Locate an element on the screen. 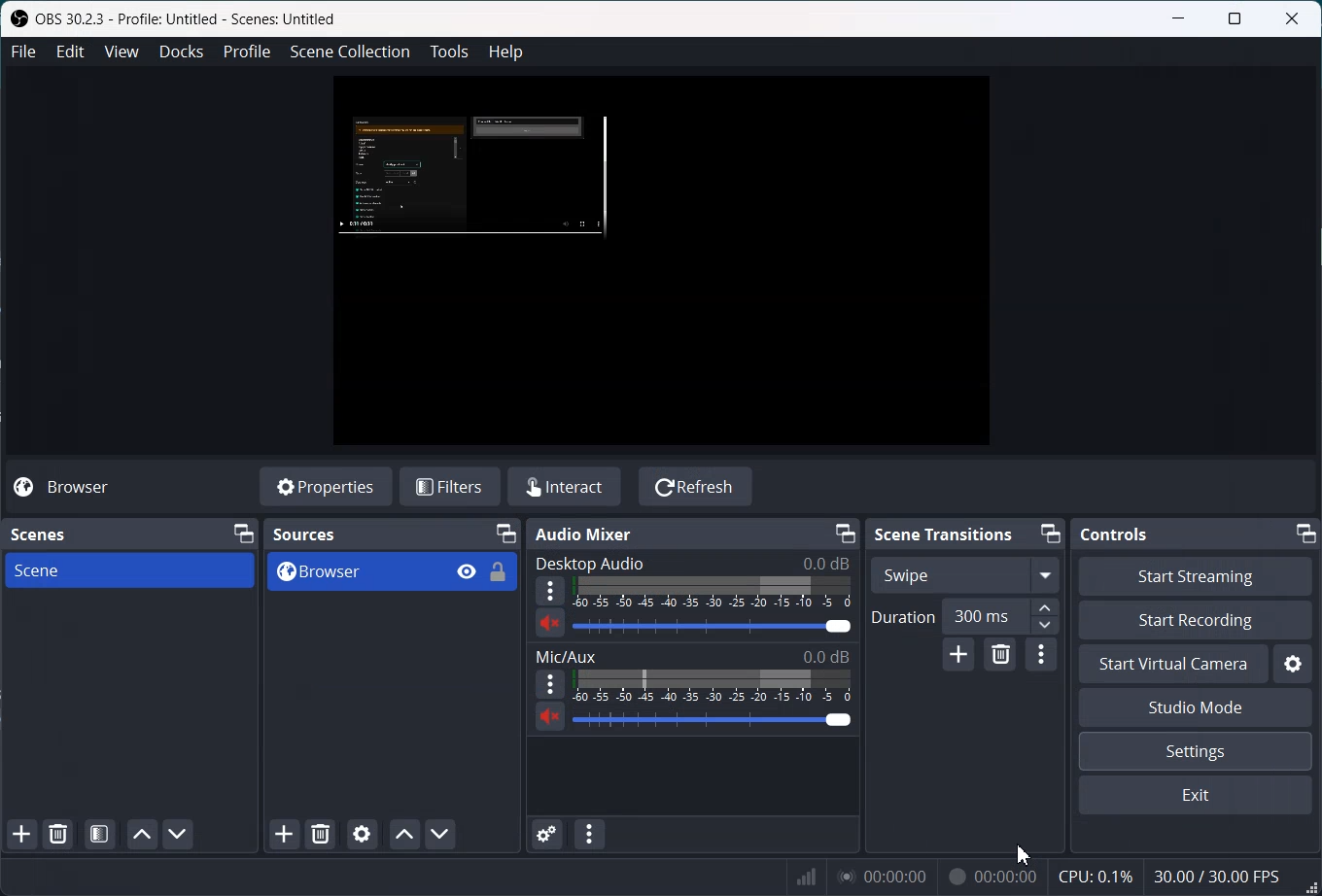 The width and height of the screenshot is (1322, 896). Mic/Aux 0.0 dB is located at coordinates (691, 654).